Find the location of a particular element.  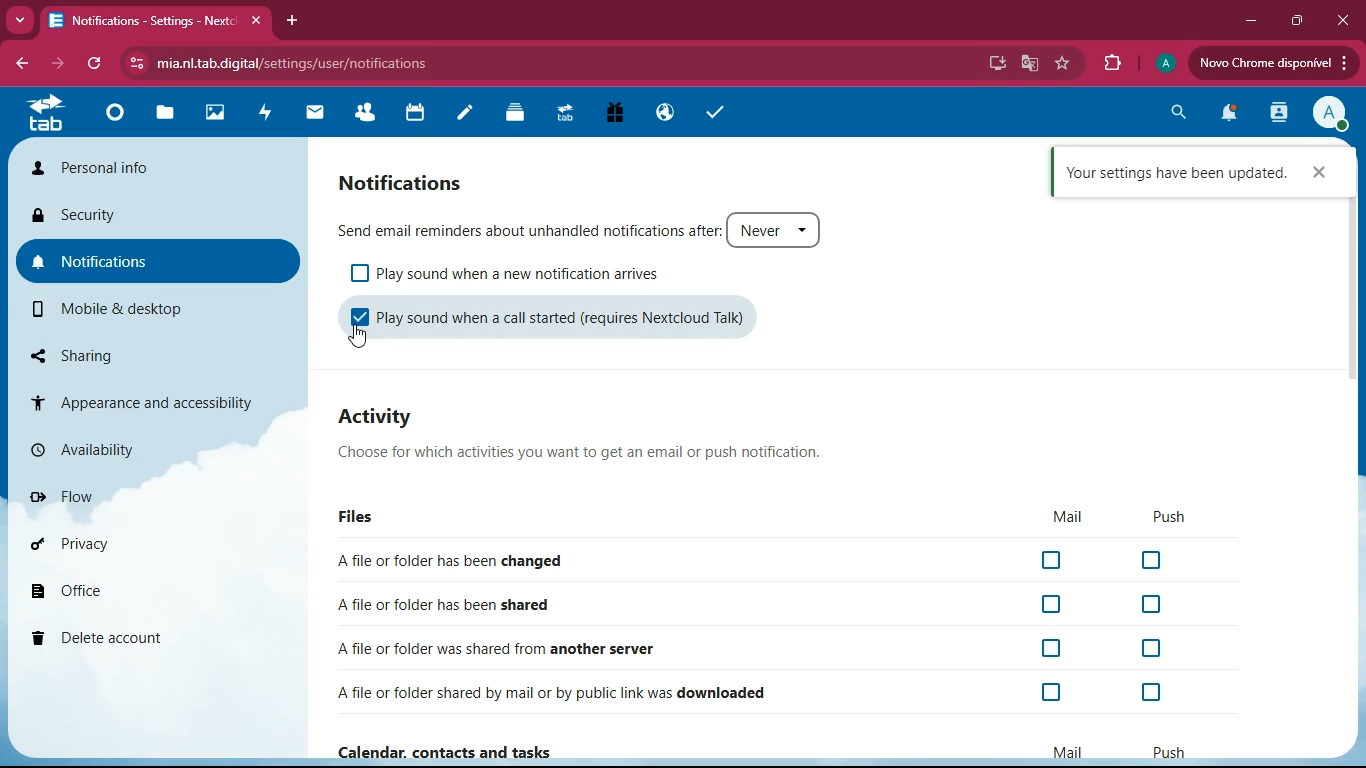

never is located at coordinates (776, 231).